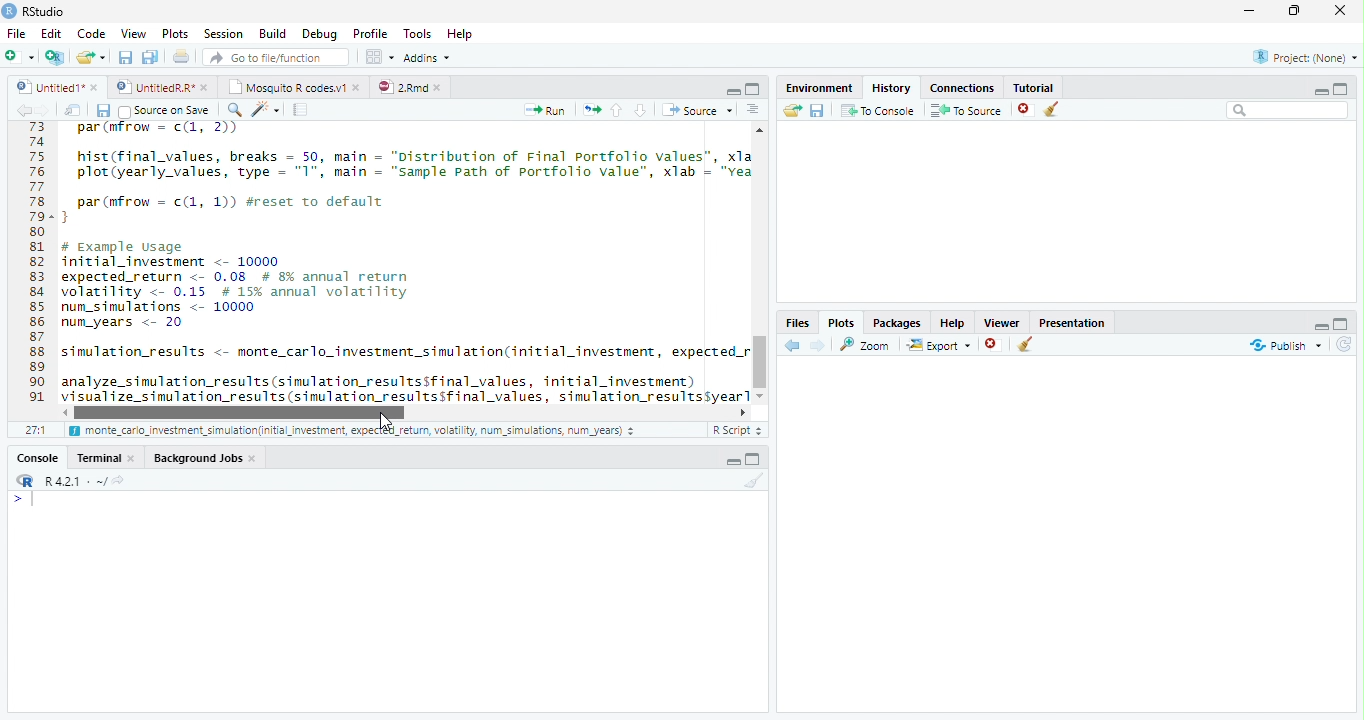 The width and height of the screenshot is (1364, 720). I want to click on History, so click(890, 86).